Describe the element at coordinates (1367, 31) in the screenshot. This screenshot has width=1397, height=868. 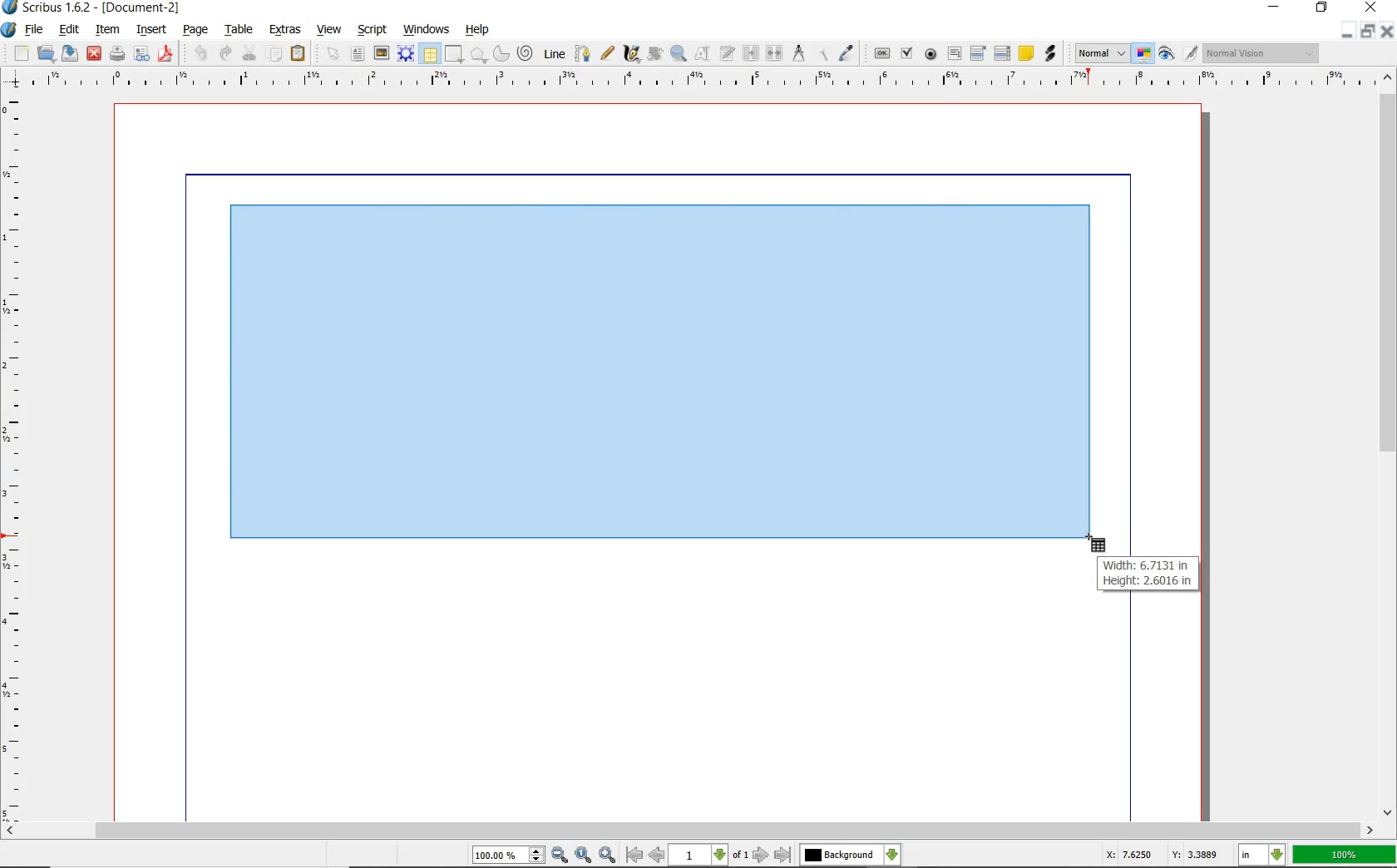
I see `restore` at that location.